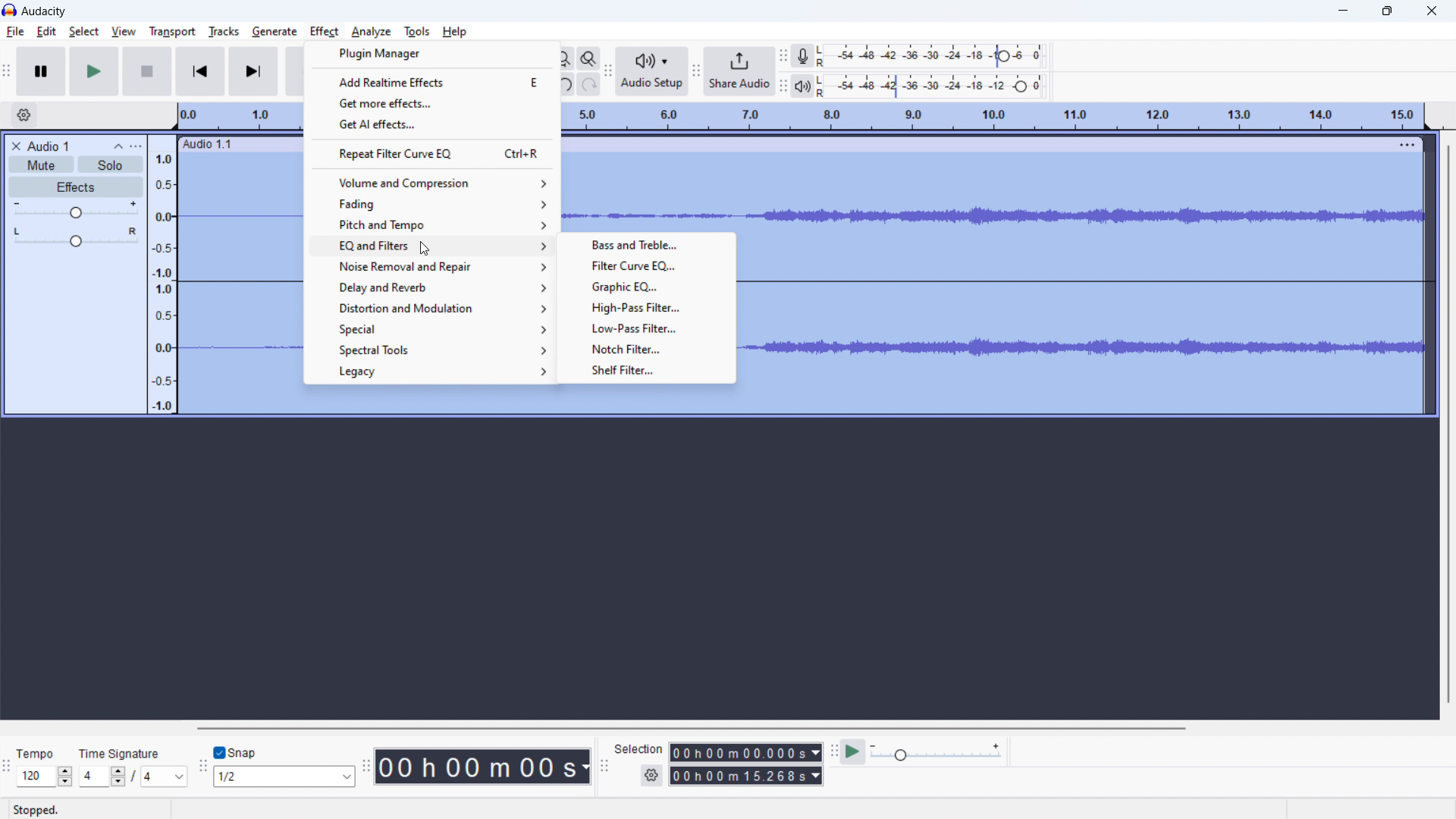 The height and width of the screenshot is (819, 1456). What do you see at coordinates (323, 32) in the screenshot?
I see `effect` at bounding box center [323, 32].